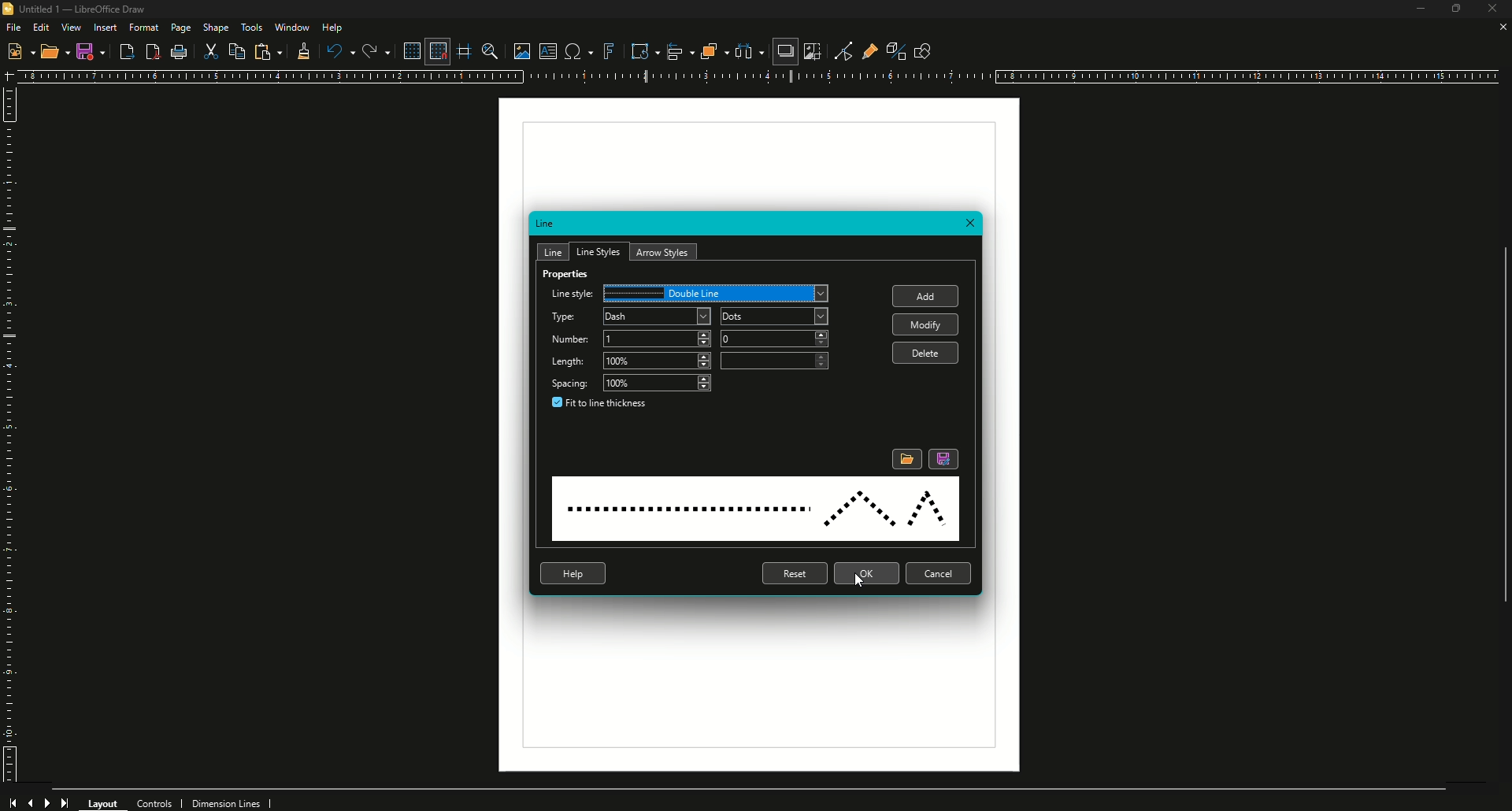  I want to click on Delete, so click(928, 354).